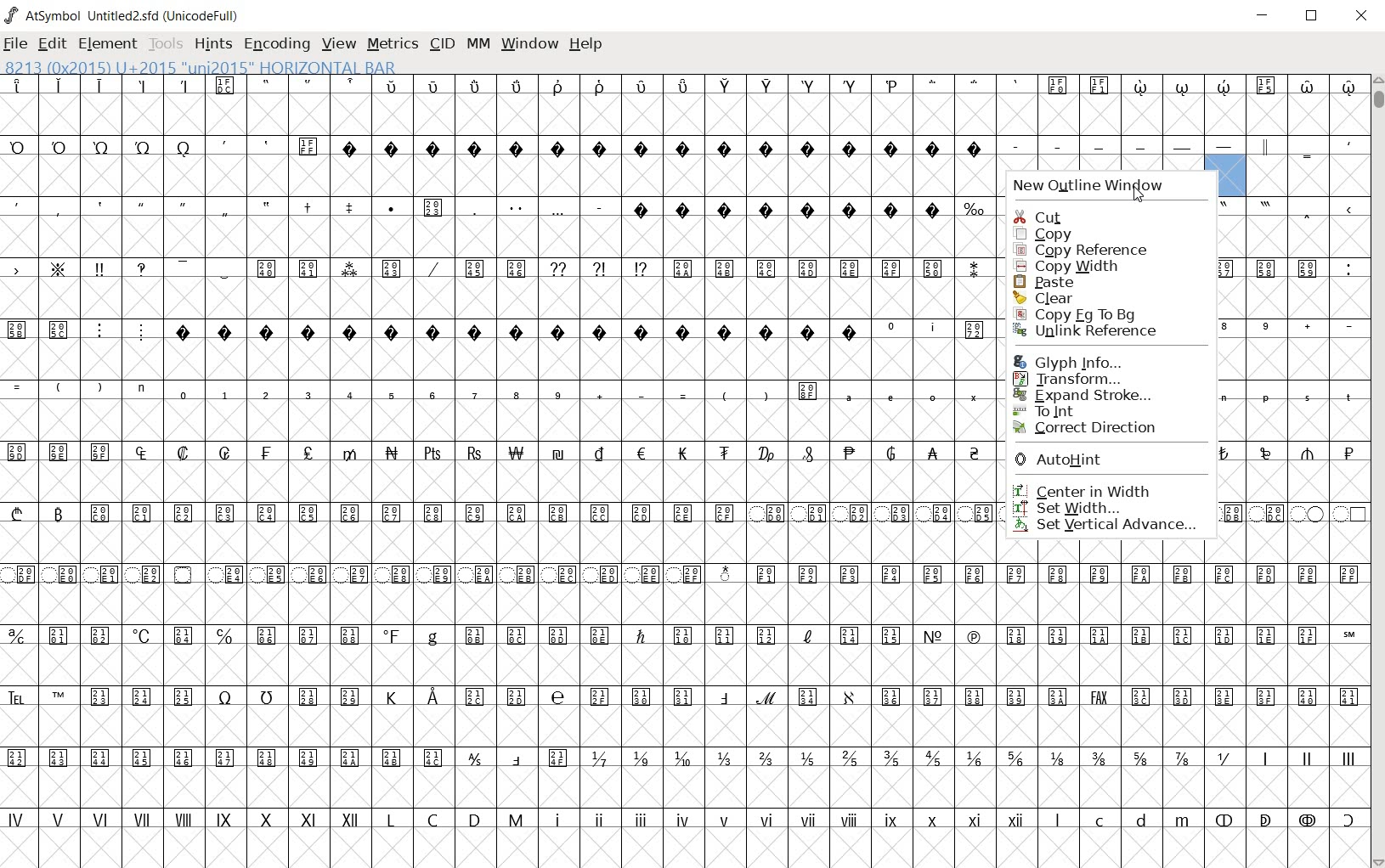  I want to click on GLYPHS, so click(500, 470).